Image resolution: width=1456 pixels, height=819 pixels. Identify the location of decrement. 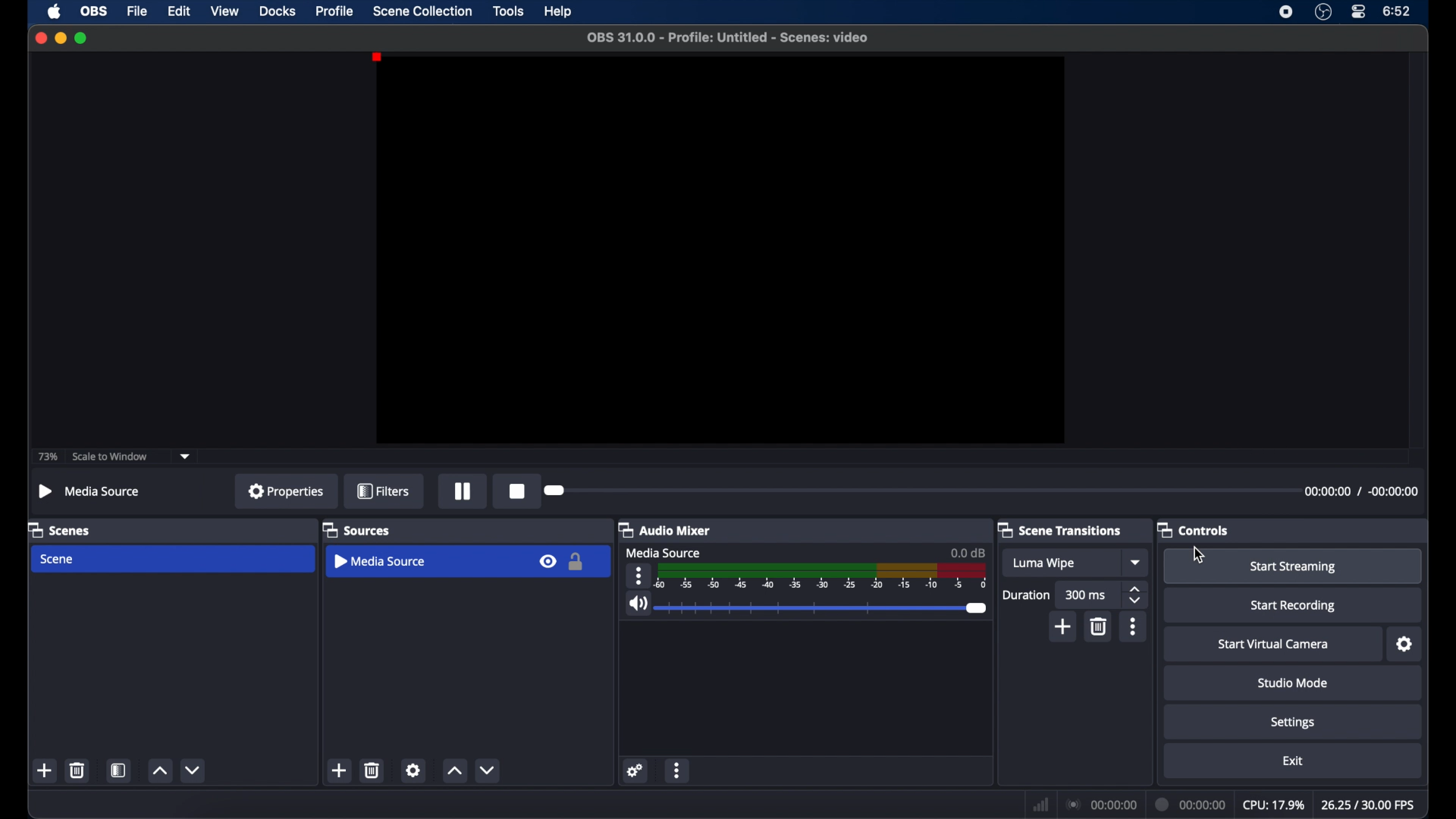
(488, 770).